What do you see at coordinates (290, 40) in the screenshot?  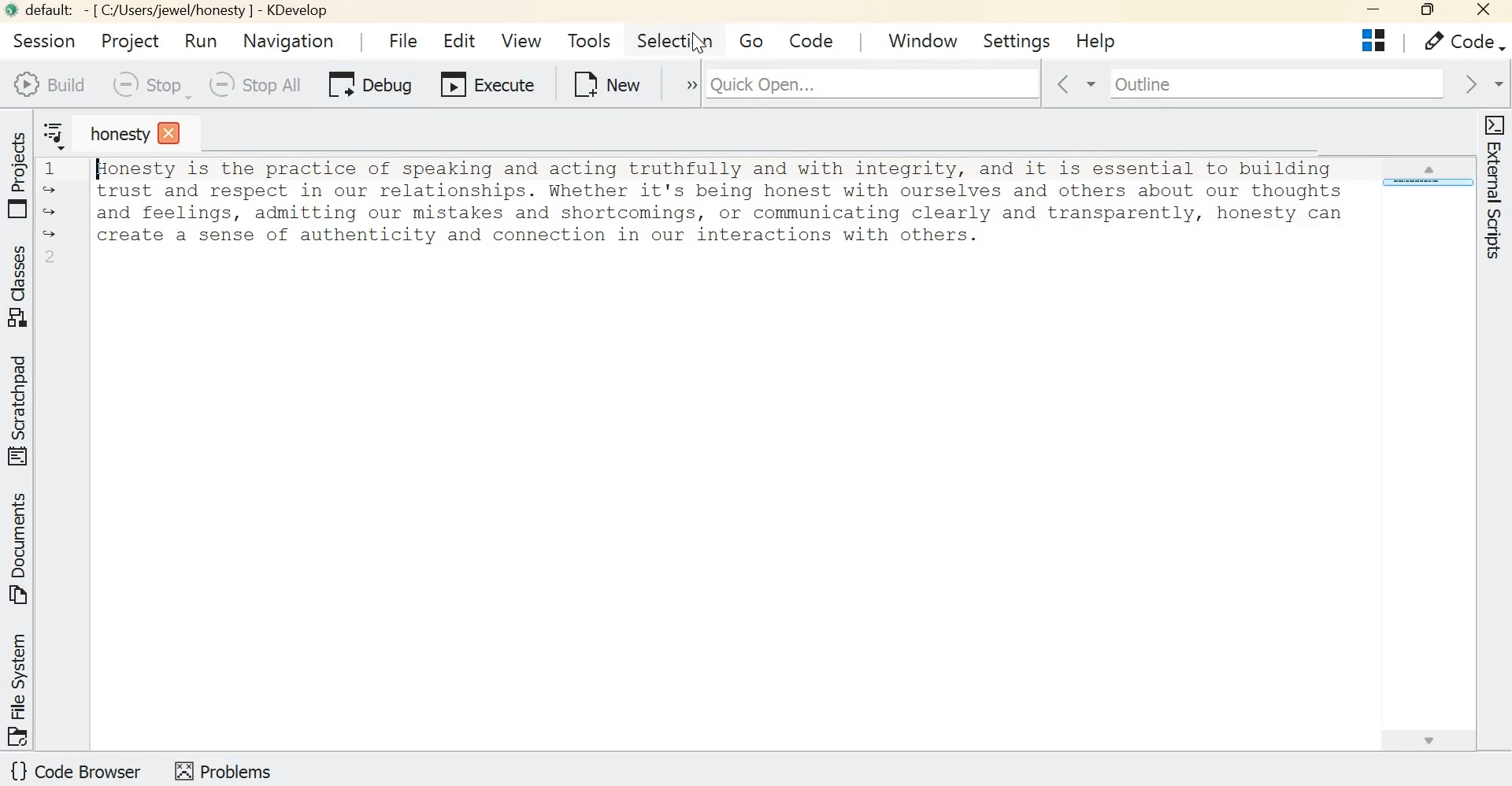 I see `Navigation` at bounding box center [290, 40].